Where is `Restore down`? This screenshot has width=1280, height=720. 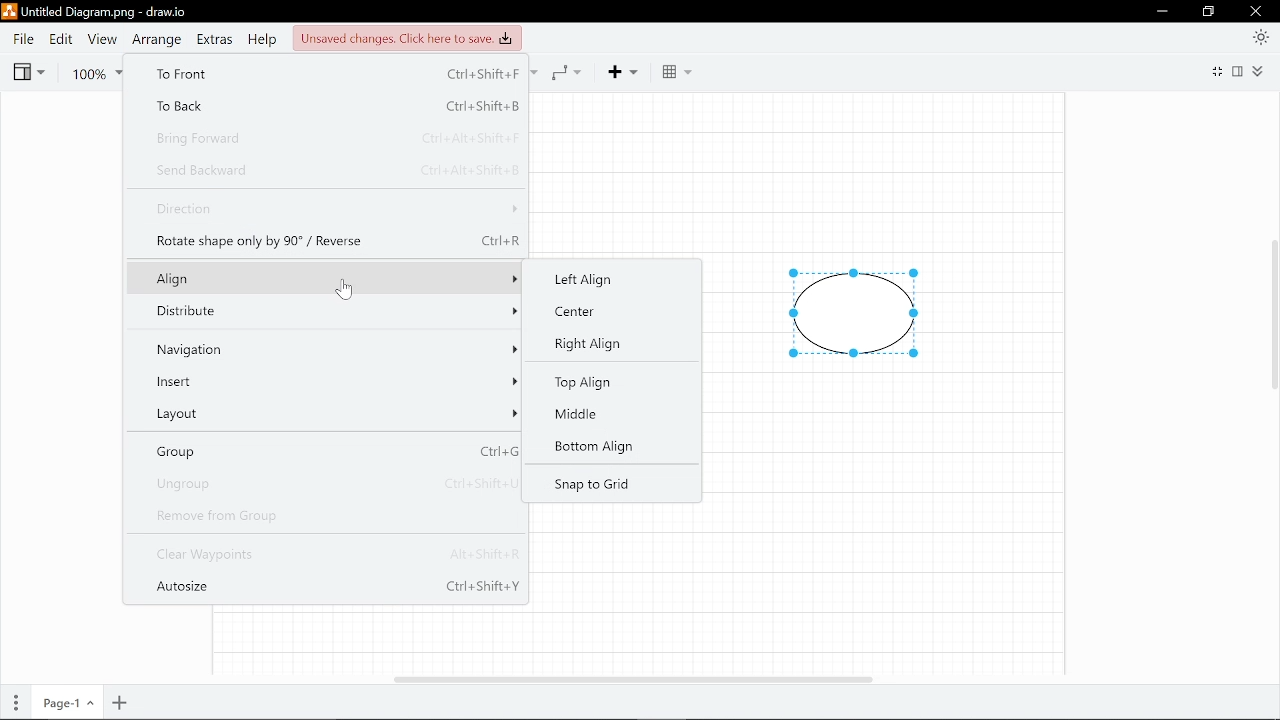
Restore down is located at coordinates (1209, 12).